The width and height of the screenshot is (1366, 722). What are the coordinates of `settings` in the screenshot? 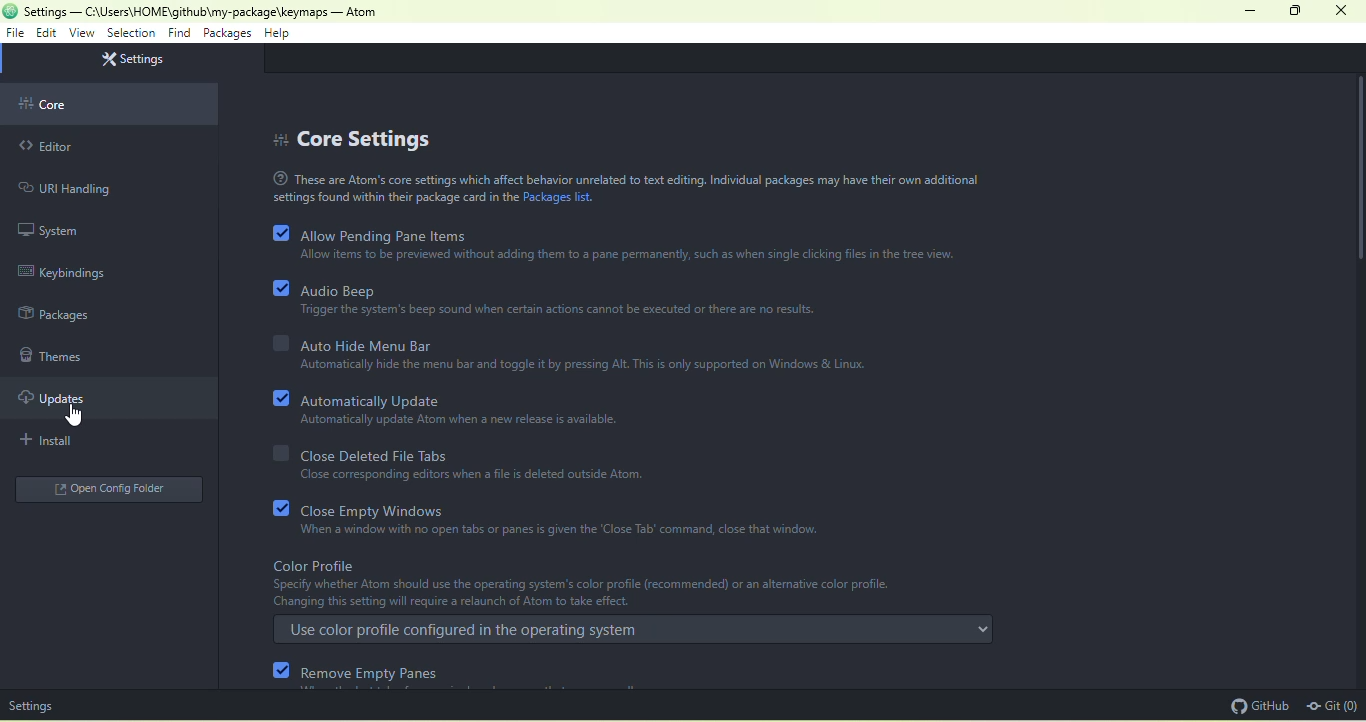 It's located at (137, 60).